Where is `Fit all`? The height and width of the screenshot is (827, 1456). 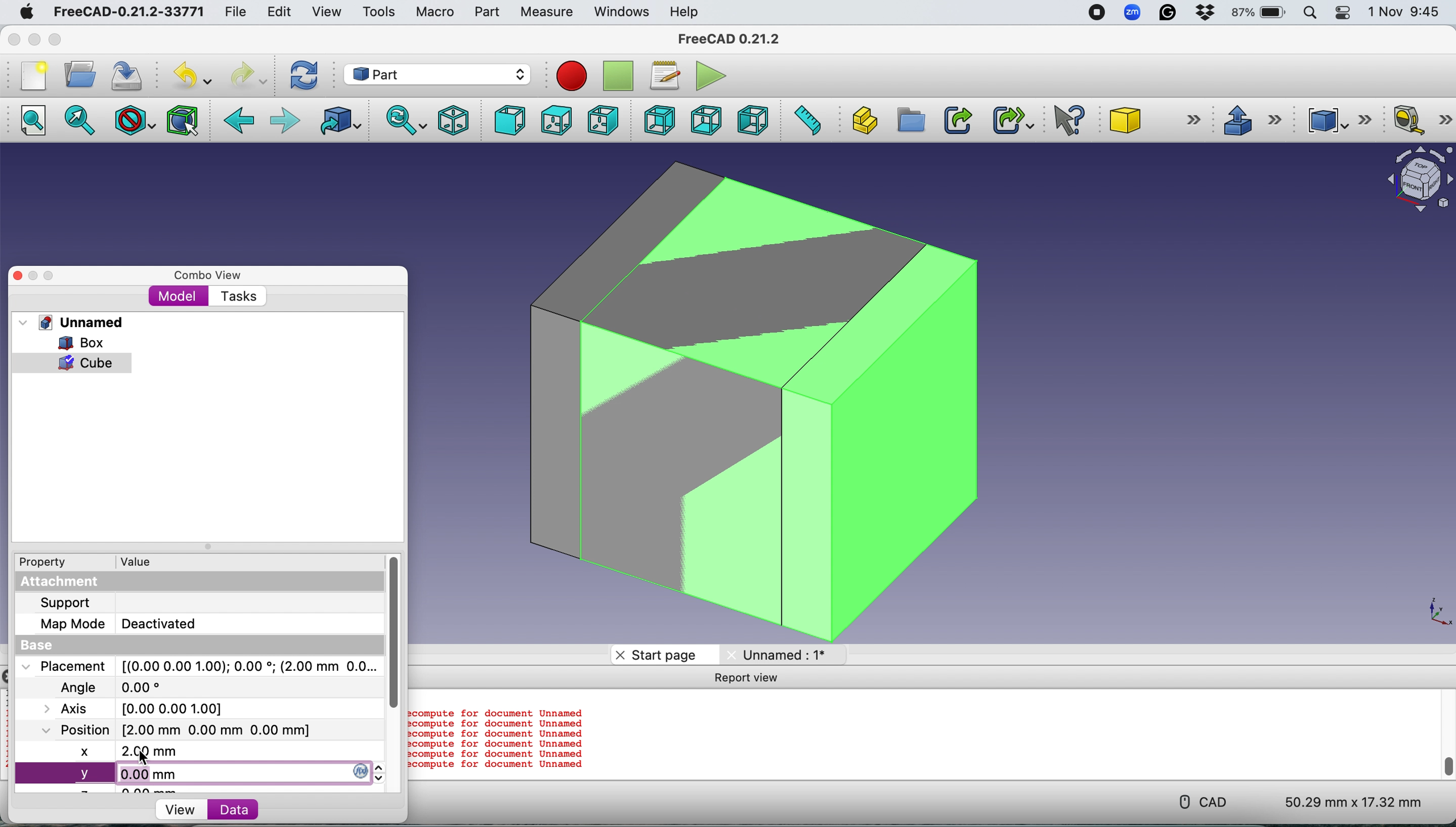
Fit all is located at coordinates (39, 122).